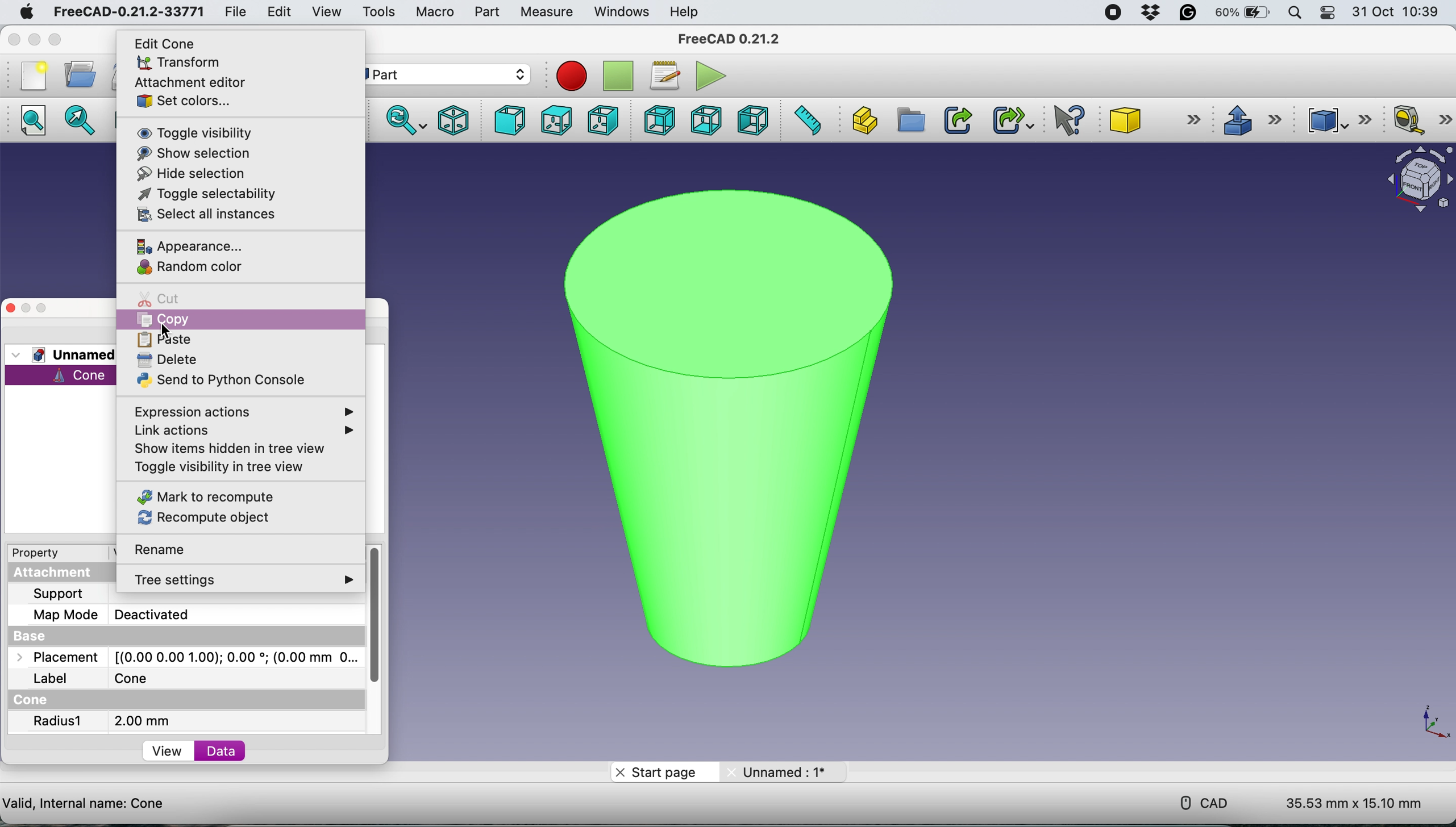 The image size is (1456, 827). Describe the element at coordinates (546, 12) in the screenshot. I see `measure` at that location.